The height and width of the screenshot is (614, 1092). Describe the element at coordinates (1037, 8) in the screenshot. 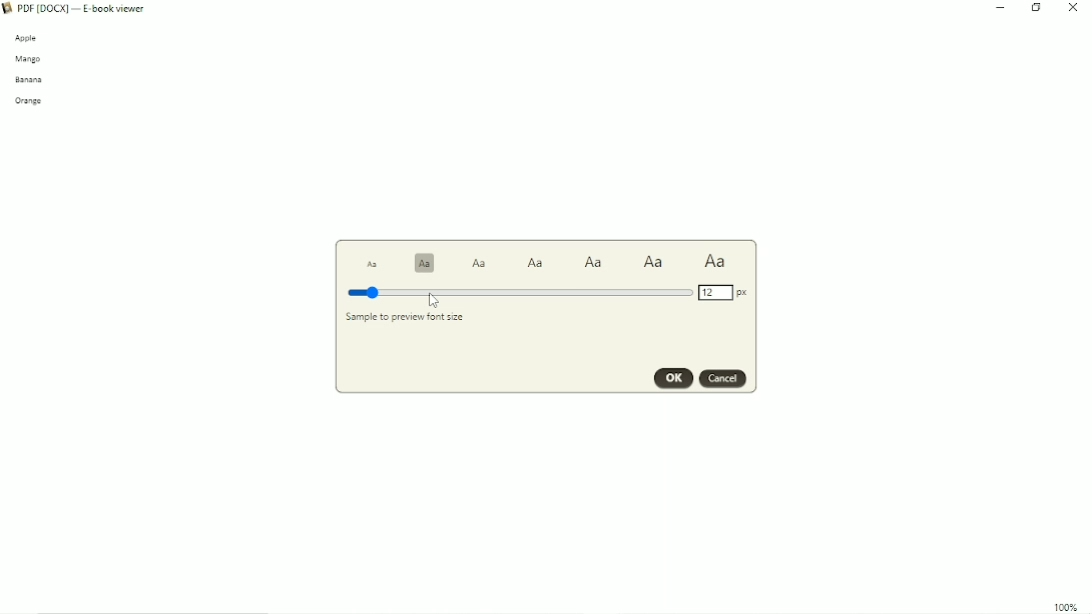

I see `Restore down` at that location.